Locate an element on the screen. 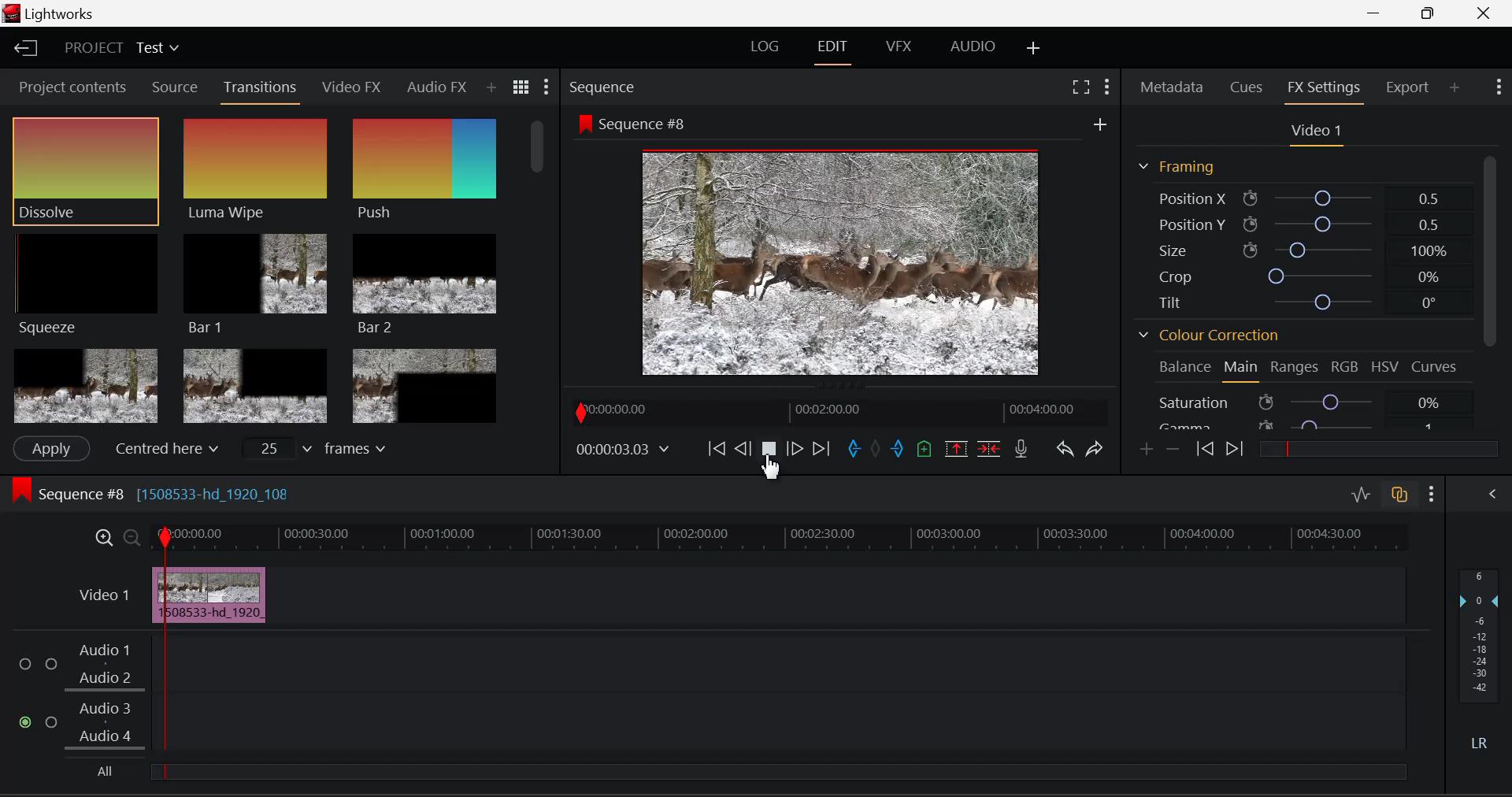  Video 1 Settings is located at coordinates (1314, 132).